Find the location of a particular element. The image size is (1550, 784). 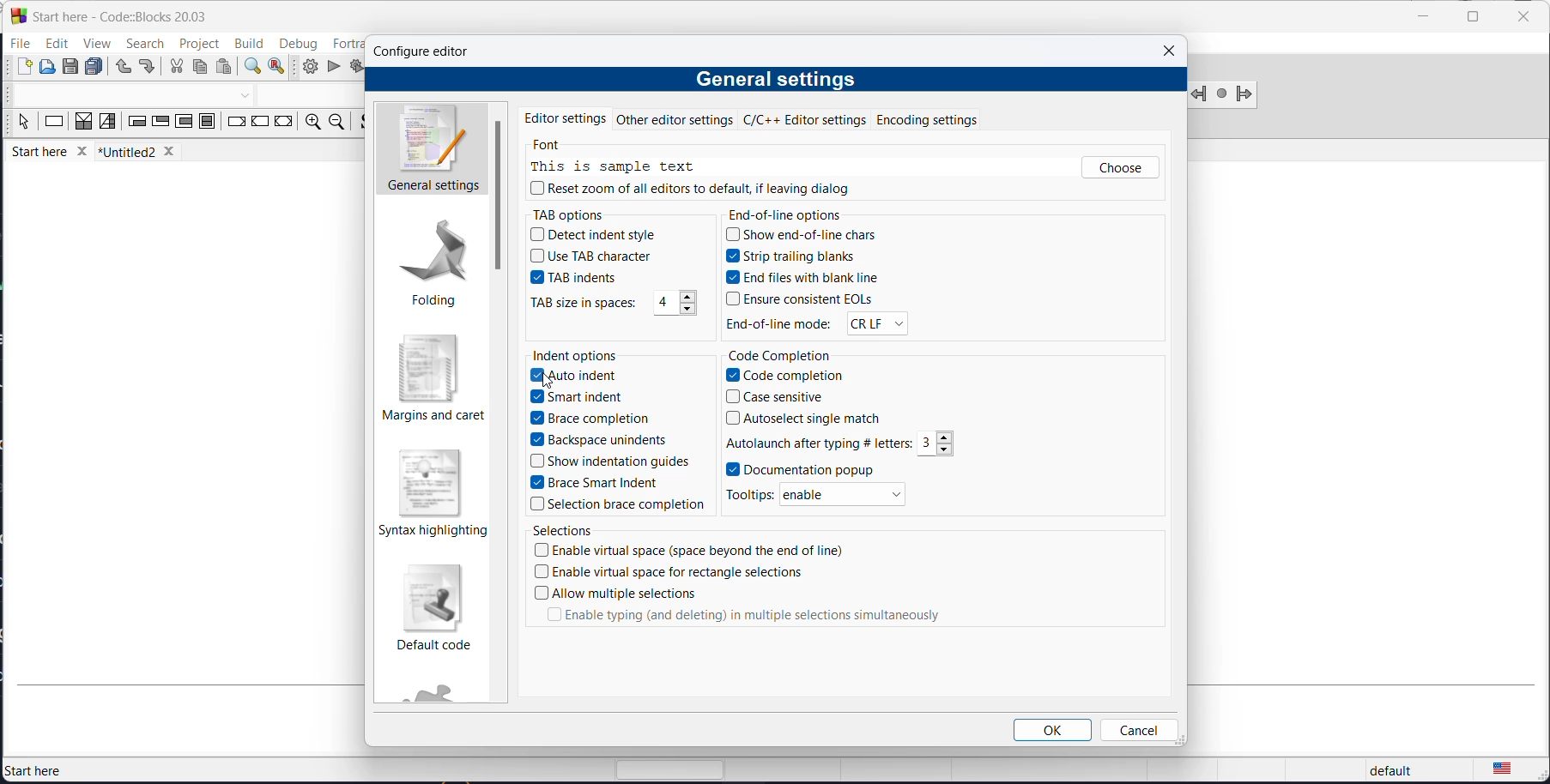

maximize is located at coordinates (1471, 17).